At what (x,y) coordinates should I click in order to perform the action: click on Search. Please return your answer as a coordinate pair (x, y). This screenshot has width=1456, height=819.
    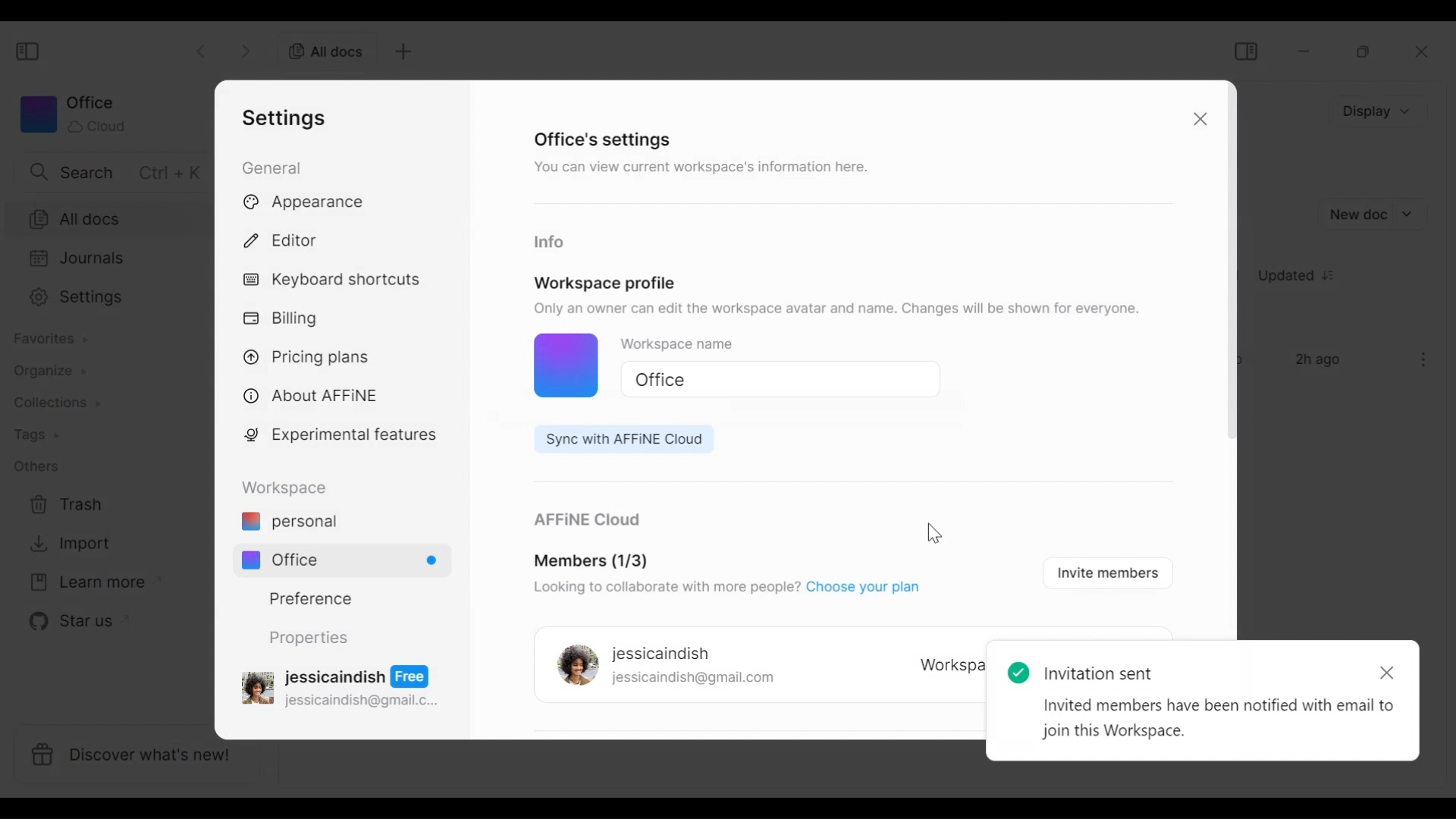
    Looking at the image, I should click on (111, 171).